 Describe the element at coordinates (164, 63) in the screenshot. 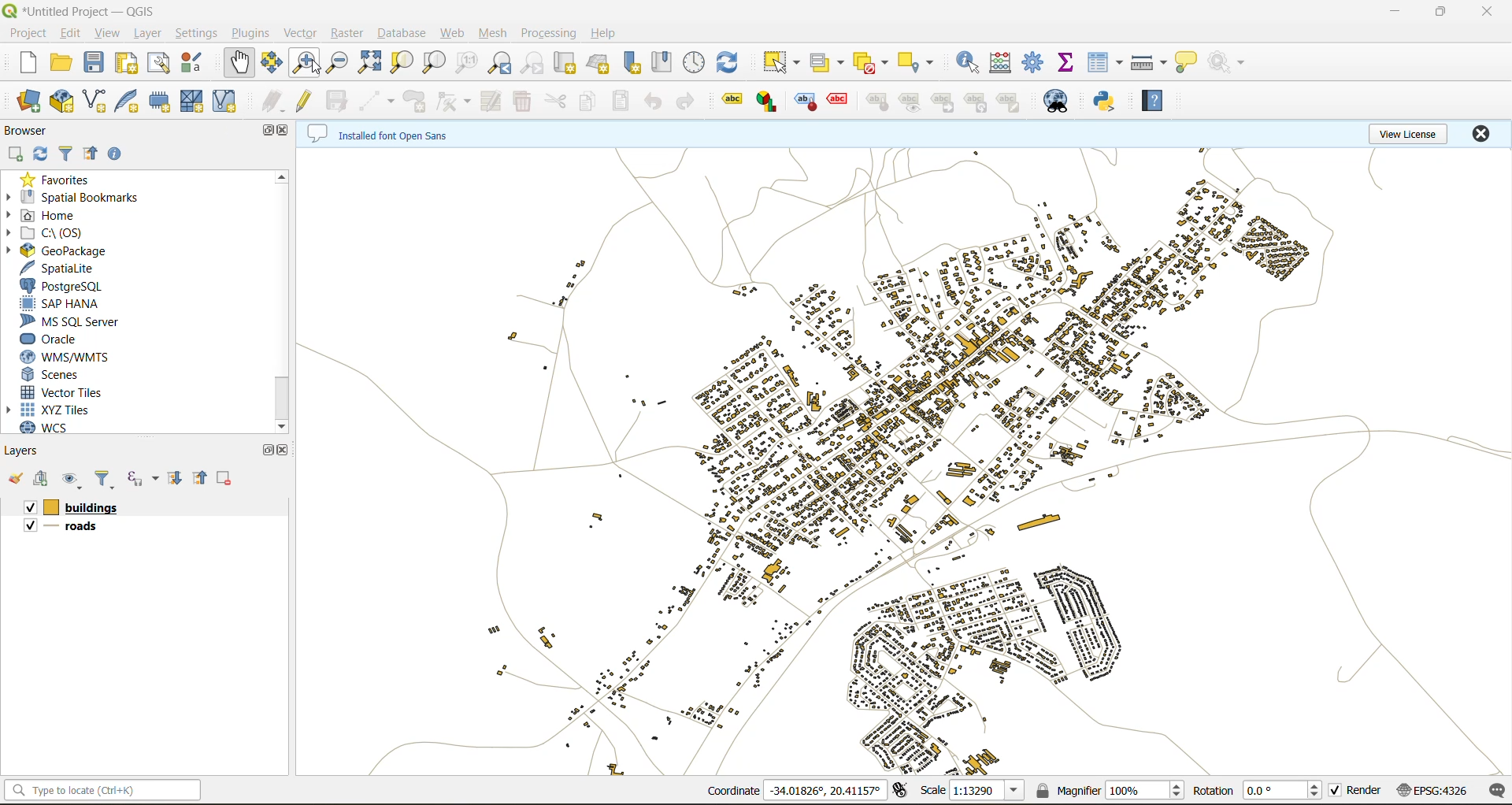

I see `show layout` at that location.